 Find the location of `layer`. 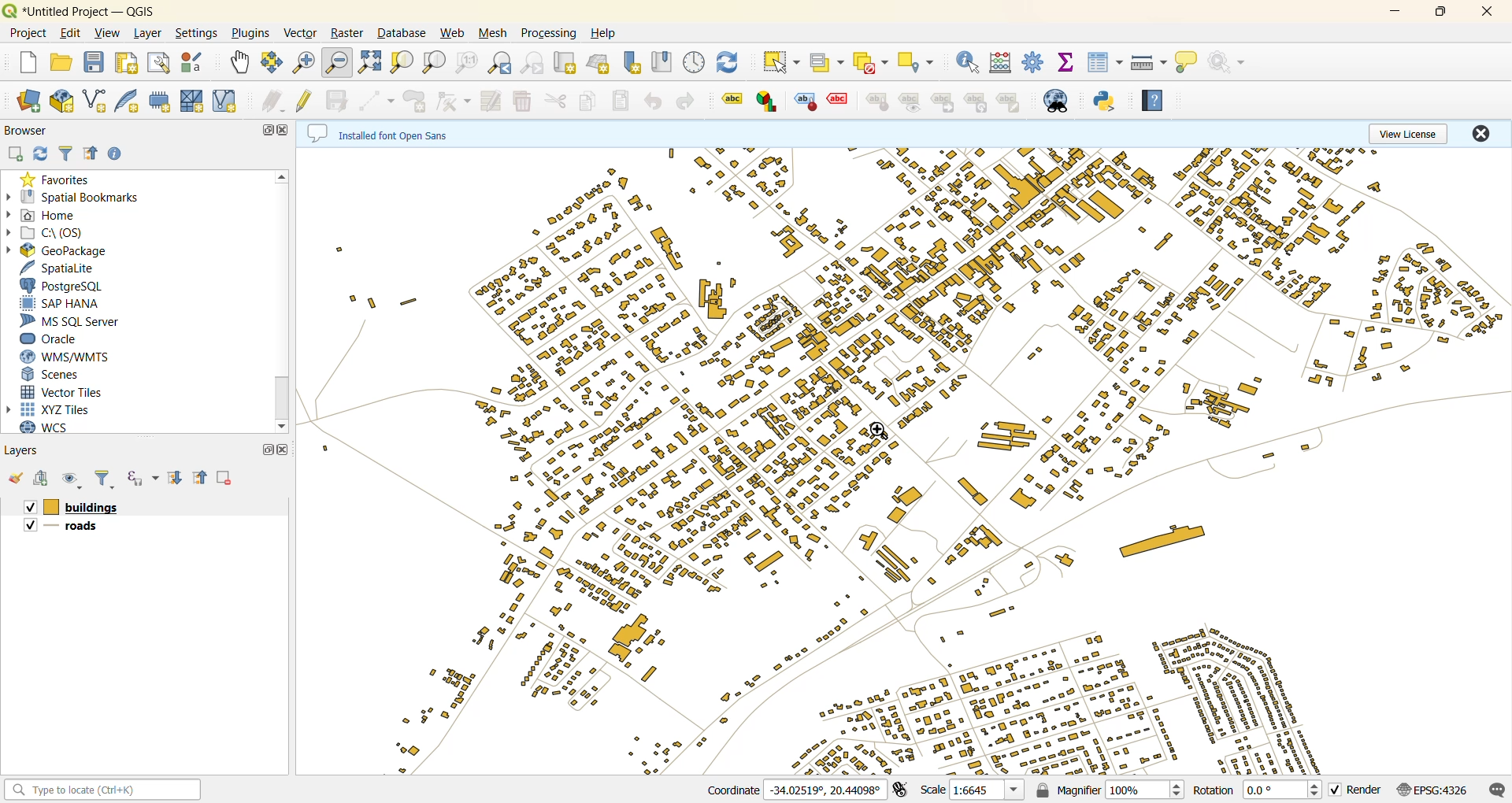

layer is located at coordinates (150, 33).